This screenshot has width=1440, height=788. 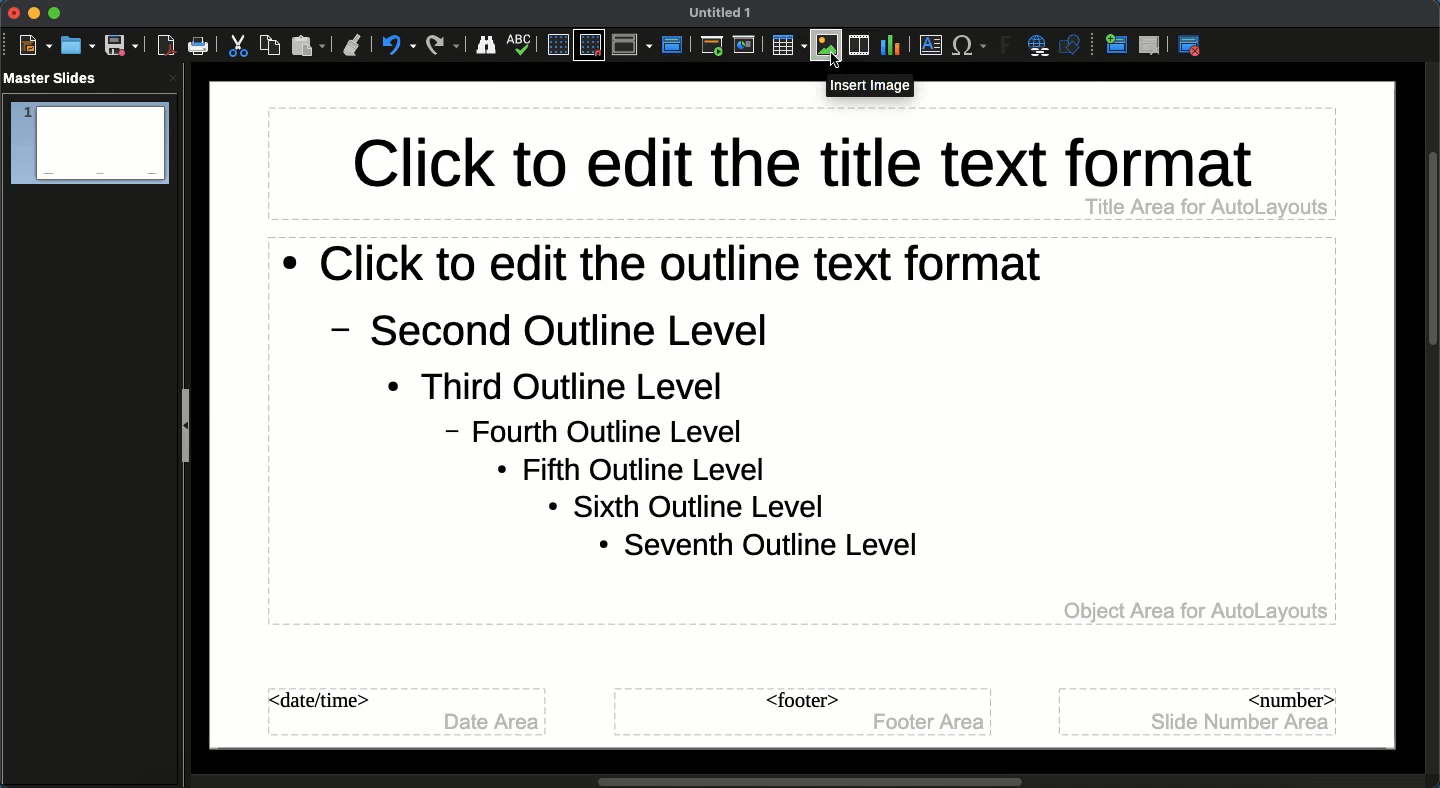 What do you see at coordinates (522, 43) in the screenshot?
I see `Spelling` at bounding box center [522, 43].